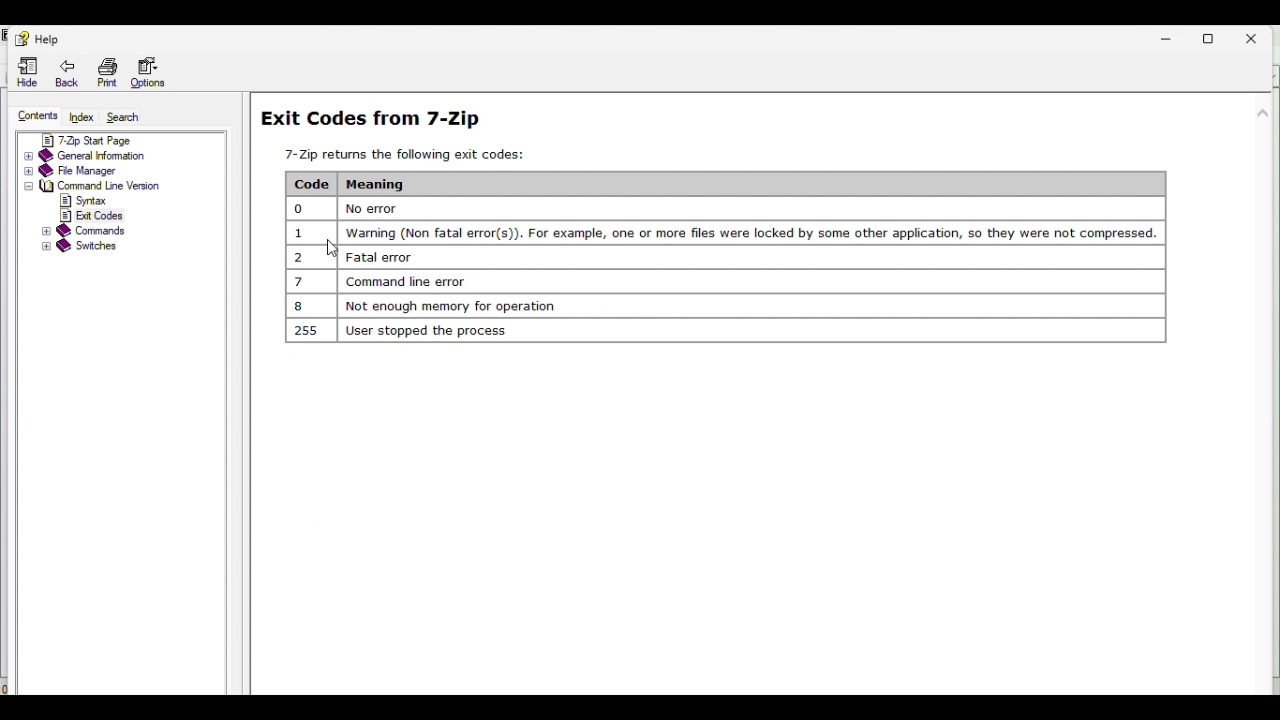 This screenshot has height=720, width=1280. What do you see at coordinates (718, 225) in the screenshot?
I see `Exit codes` at bounding box center [718, 225].